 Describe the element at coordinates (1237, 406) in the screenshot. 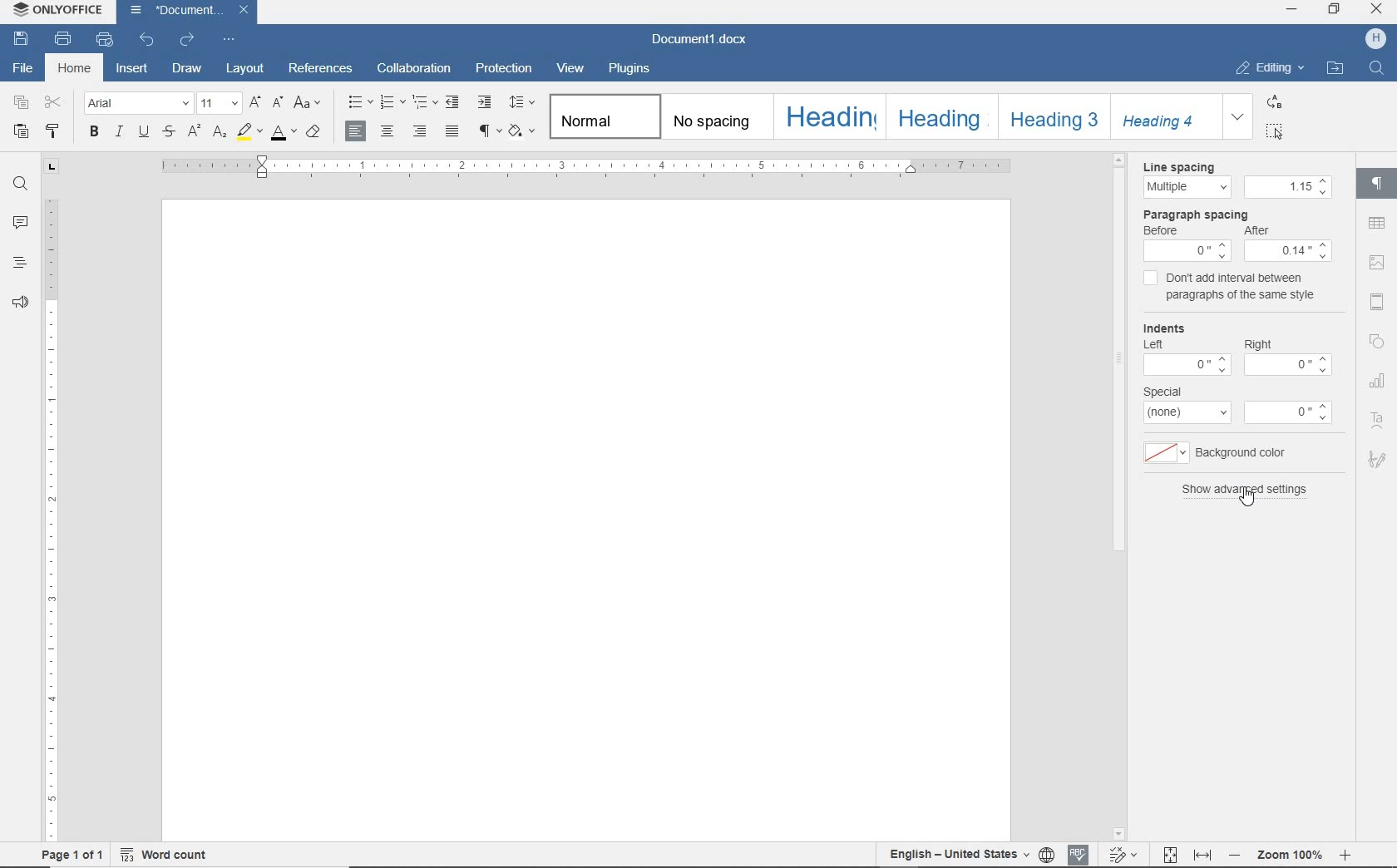

I see `special: none-0` at that location.